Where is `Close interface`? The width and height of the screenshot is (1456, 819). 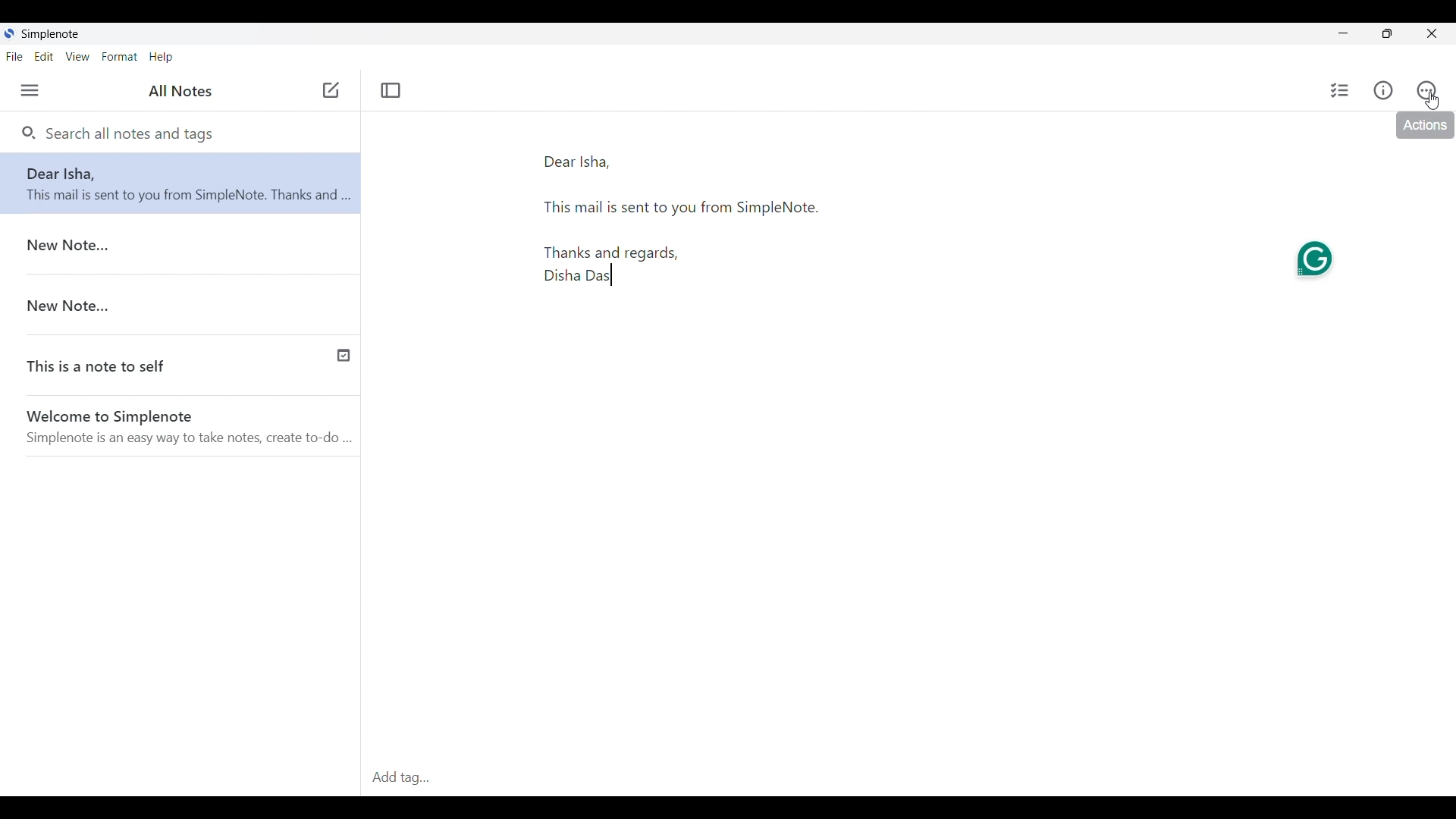
Close interface is located at coordinates (1431, 33).